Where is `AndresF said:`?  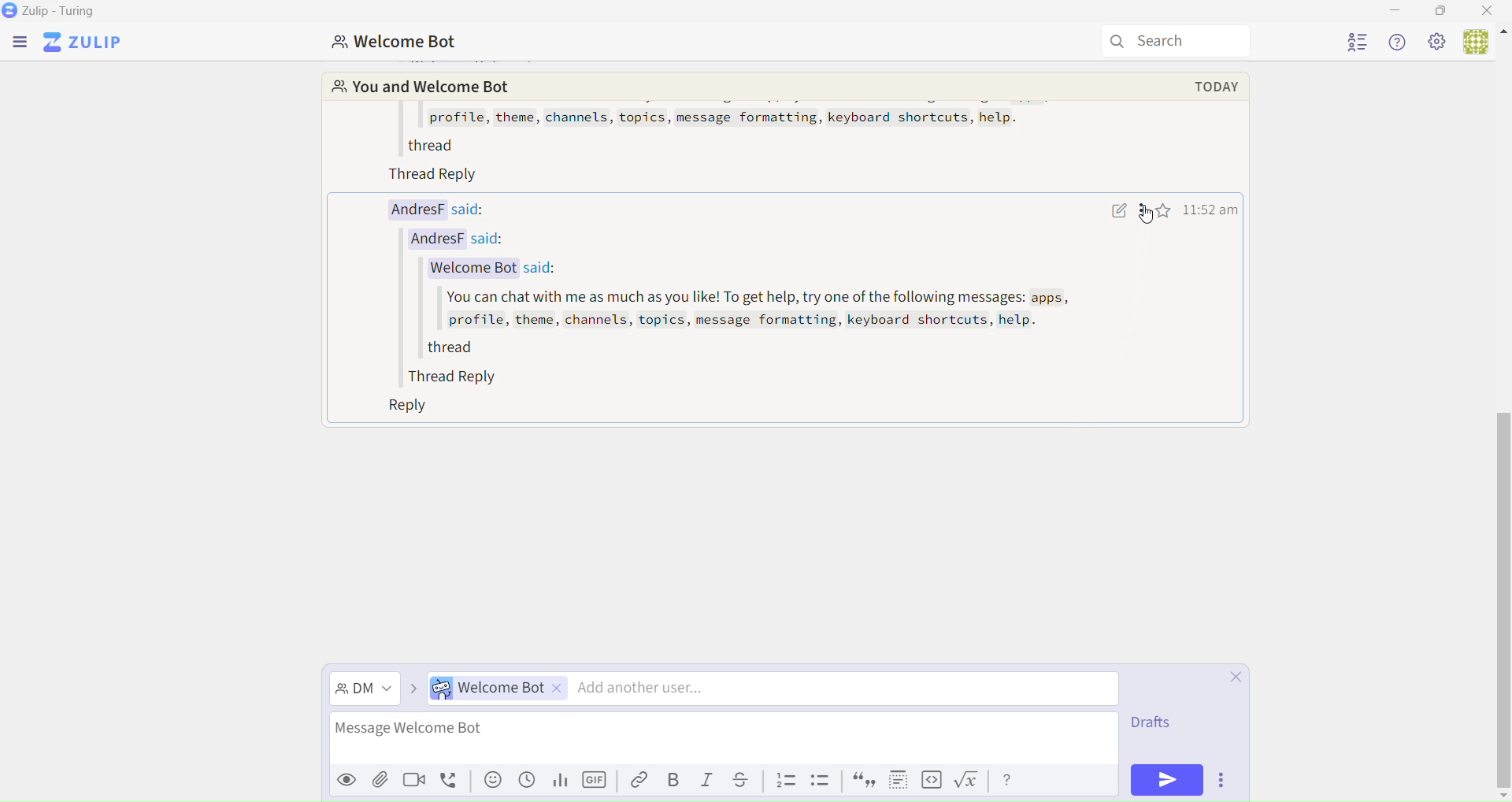
AndresF said: is located at coordinates (429, 208).